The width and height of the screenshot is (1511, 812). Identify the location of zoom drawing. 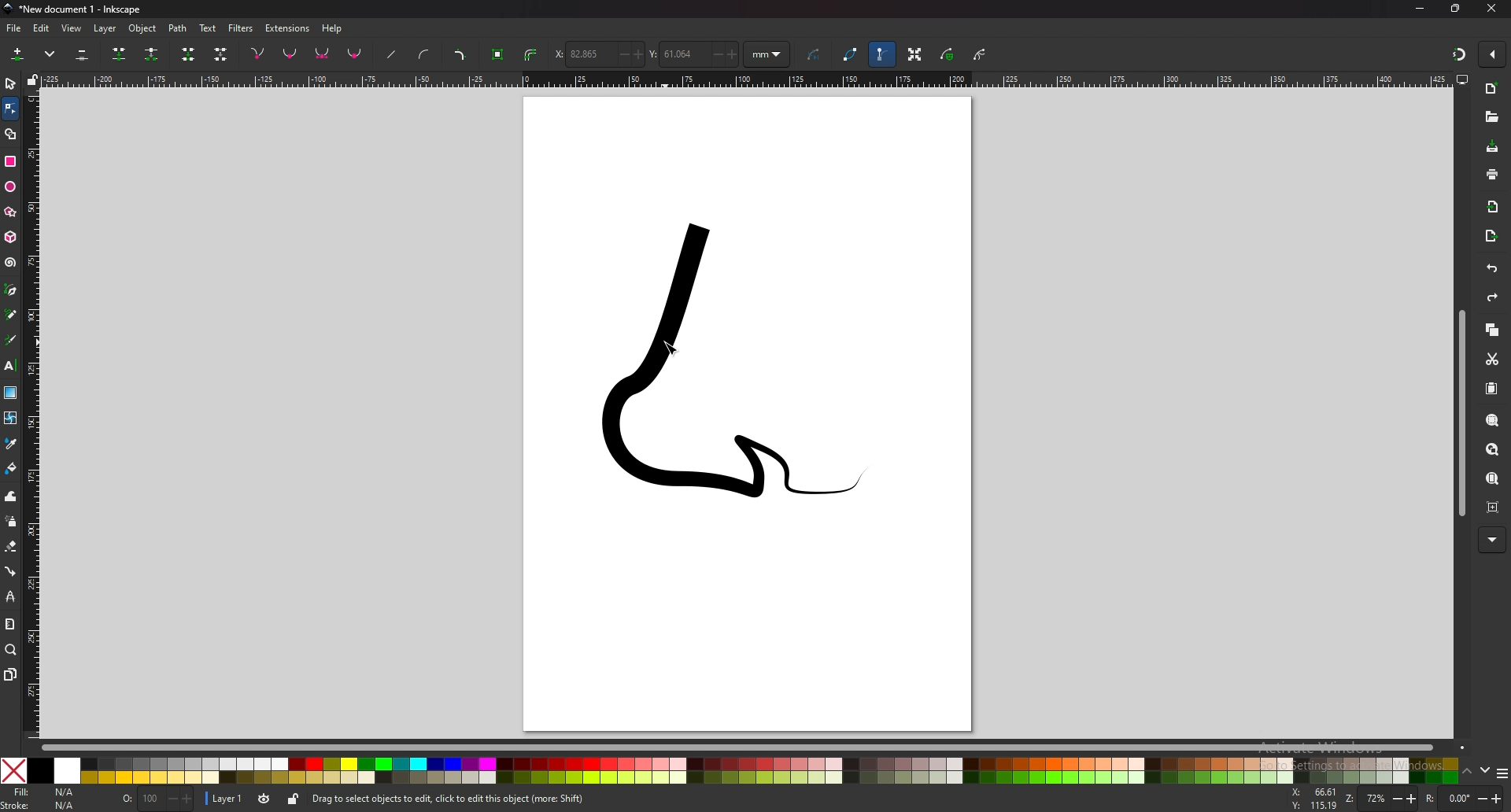
(1491, 450).